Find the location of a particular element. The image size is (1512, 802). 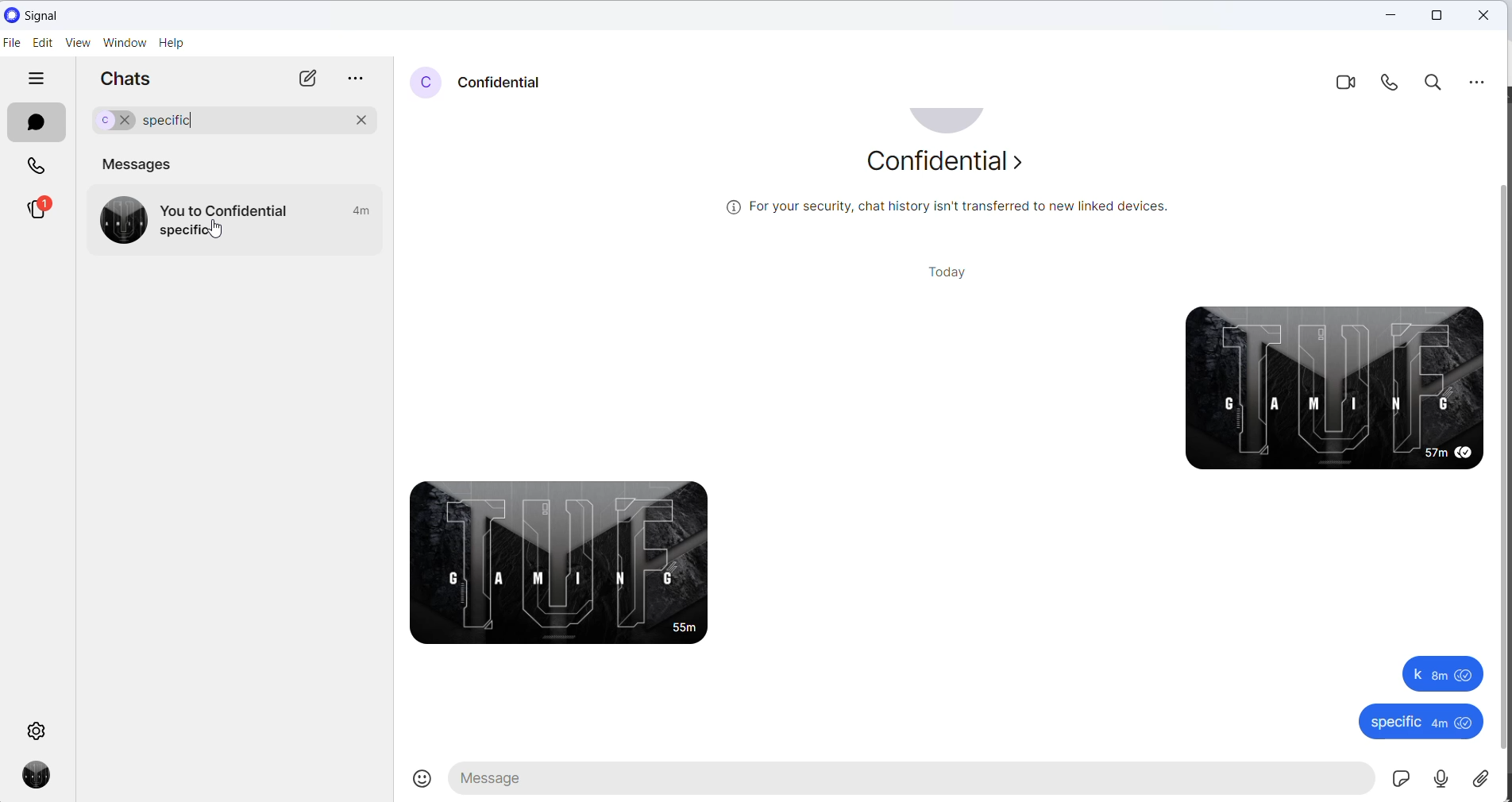

share attachment is located at coordinates (1491, 777).